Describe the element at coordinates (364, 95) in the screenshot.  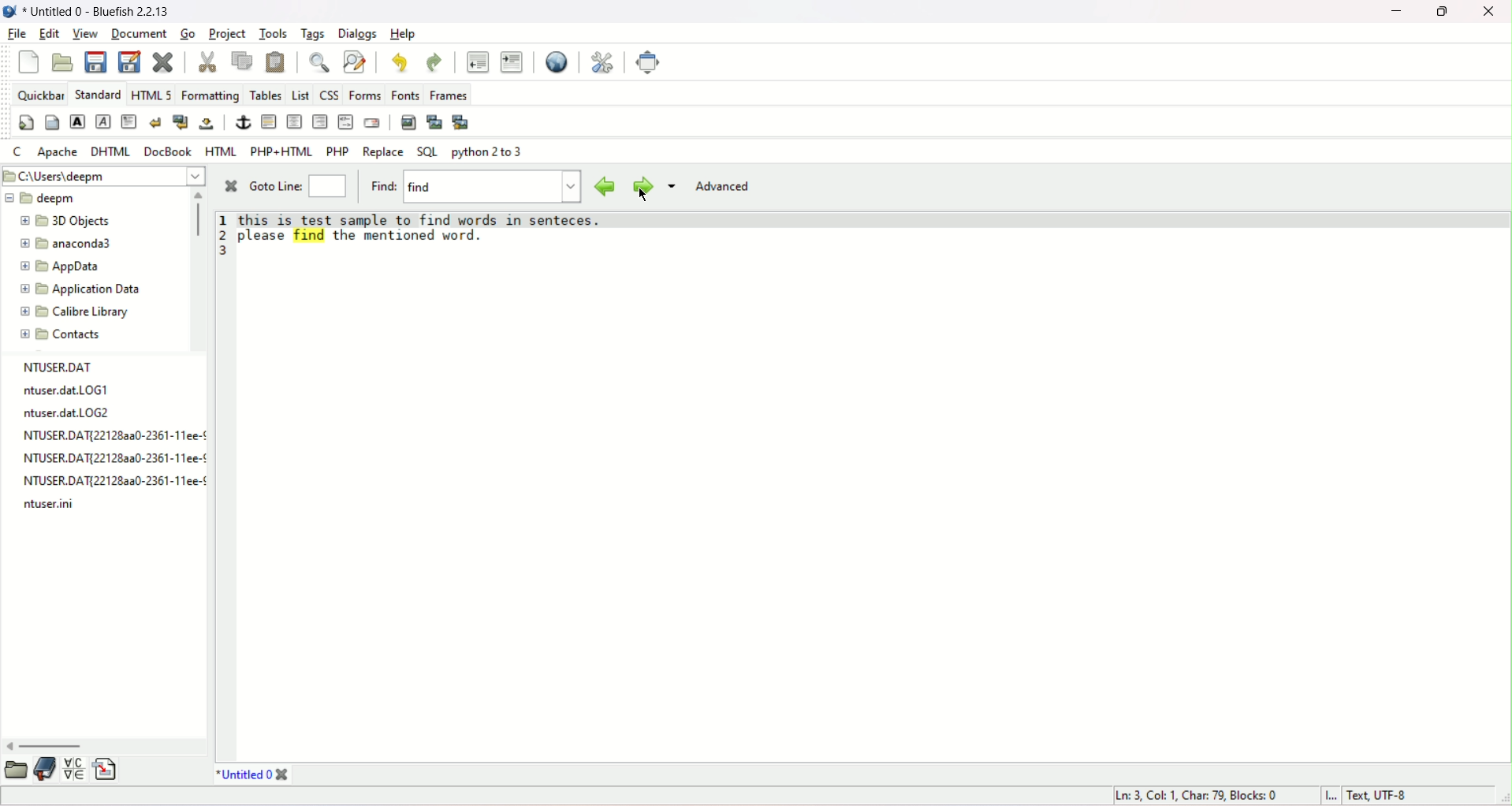
I see `forms` at that location.